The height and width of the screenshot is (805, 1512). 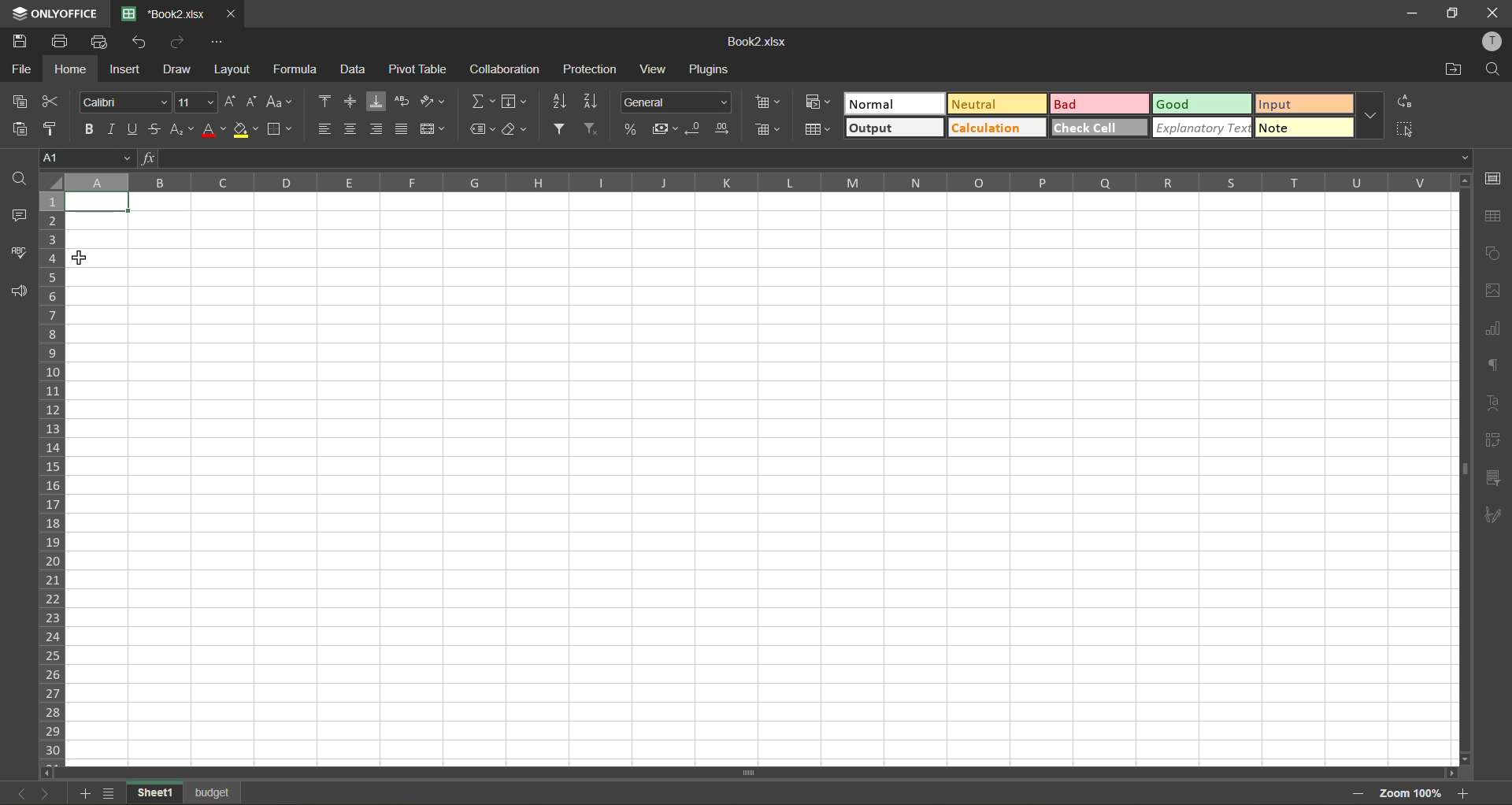 What do you see at coordinates (1498, 295) in the screenshot?
I see `images` at bounding box center [1498, 295].